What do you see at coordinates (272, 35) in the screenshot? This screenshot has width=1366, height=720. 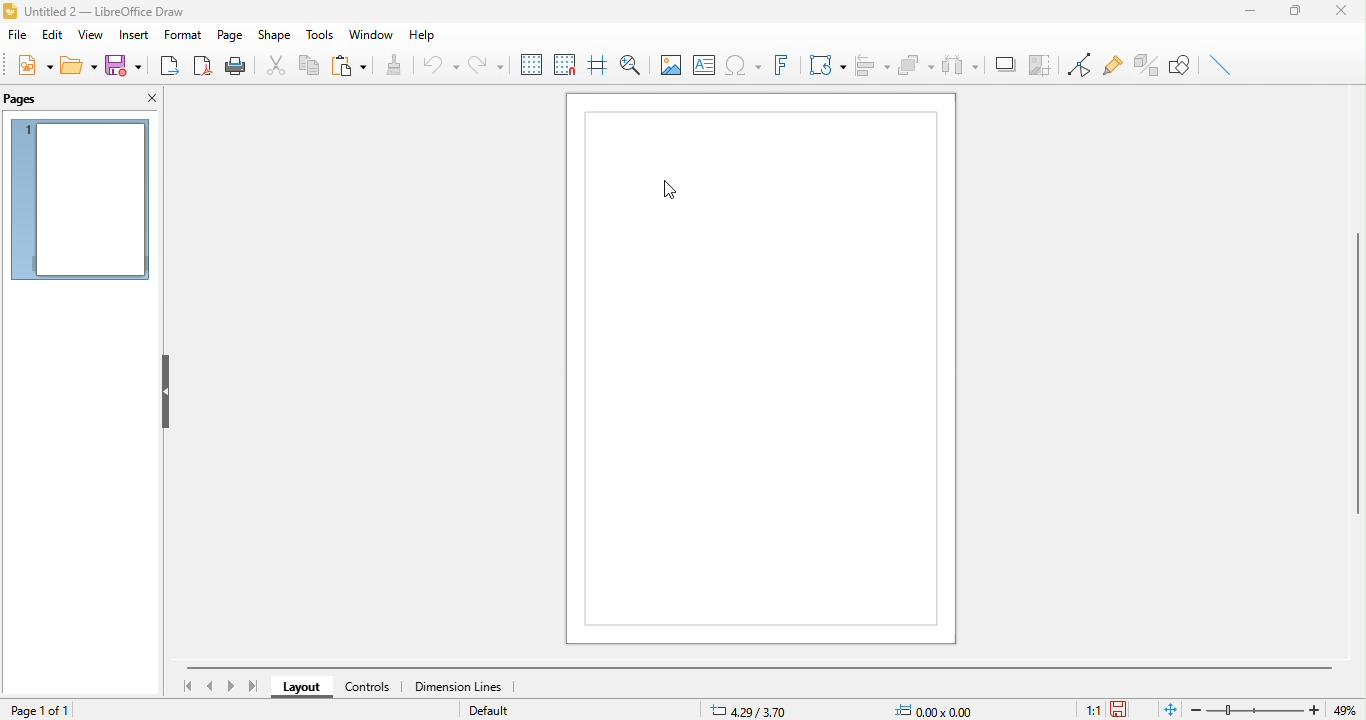 I see `shape` at bounding box center [272, 35].